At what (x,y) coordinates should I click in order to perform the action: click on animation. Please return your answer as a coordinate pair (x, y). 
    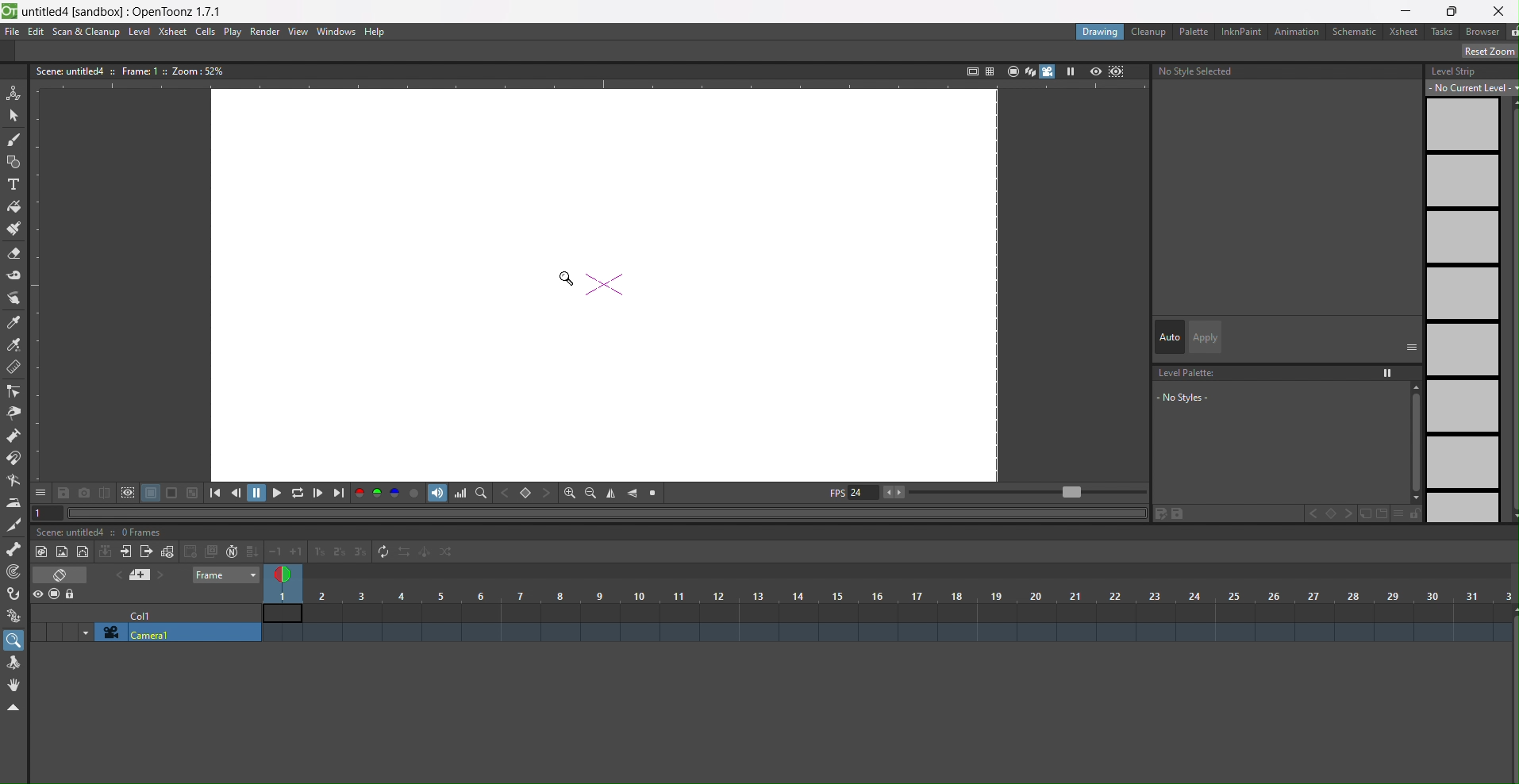
    Looking at the image, I should click on (1298, 31).